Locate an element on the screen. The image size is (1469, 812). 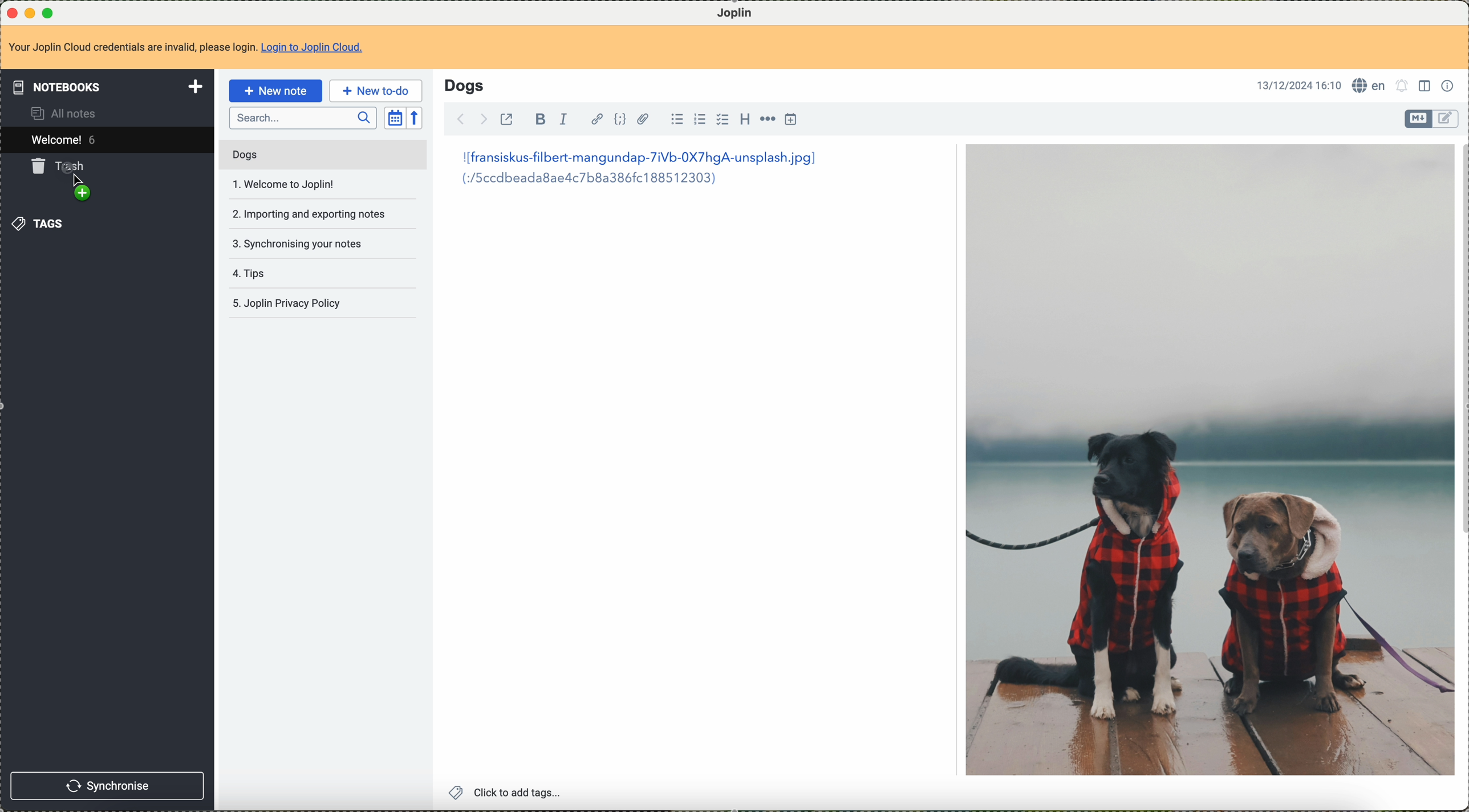
close program is located at coordinates (11, 11).